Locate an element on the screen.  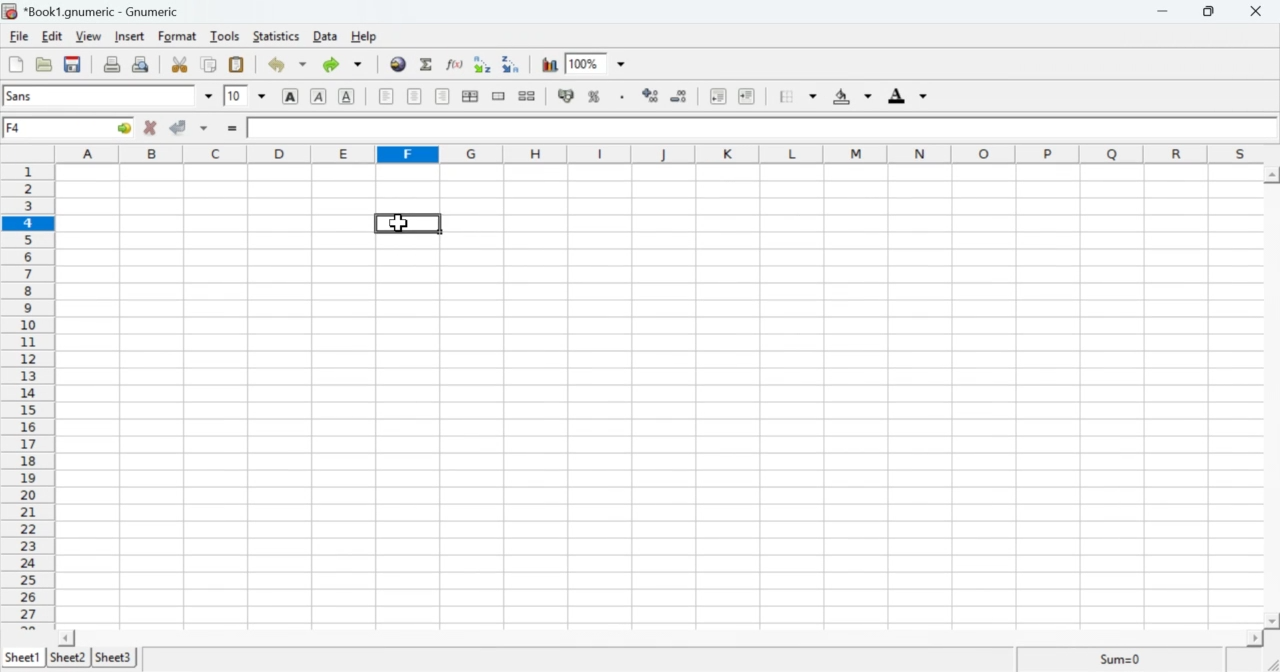
Font Size is located at coordinates (234, 96).